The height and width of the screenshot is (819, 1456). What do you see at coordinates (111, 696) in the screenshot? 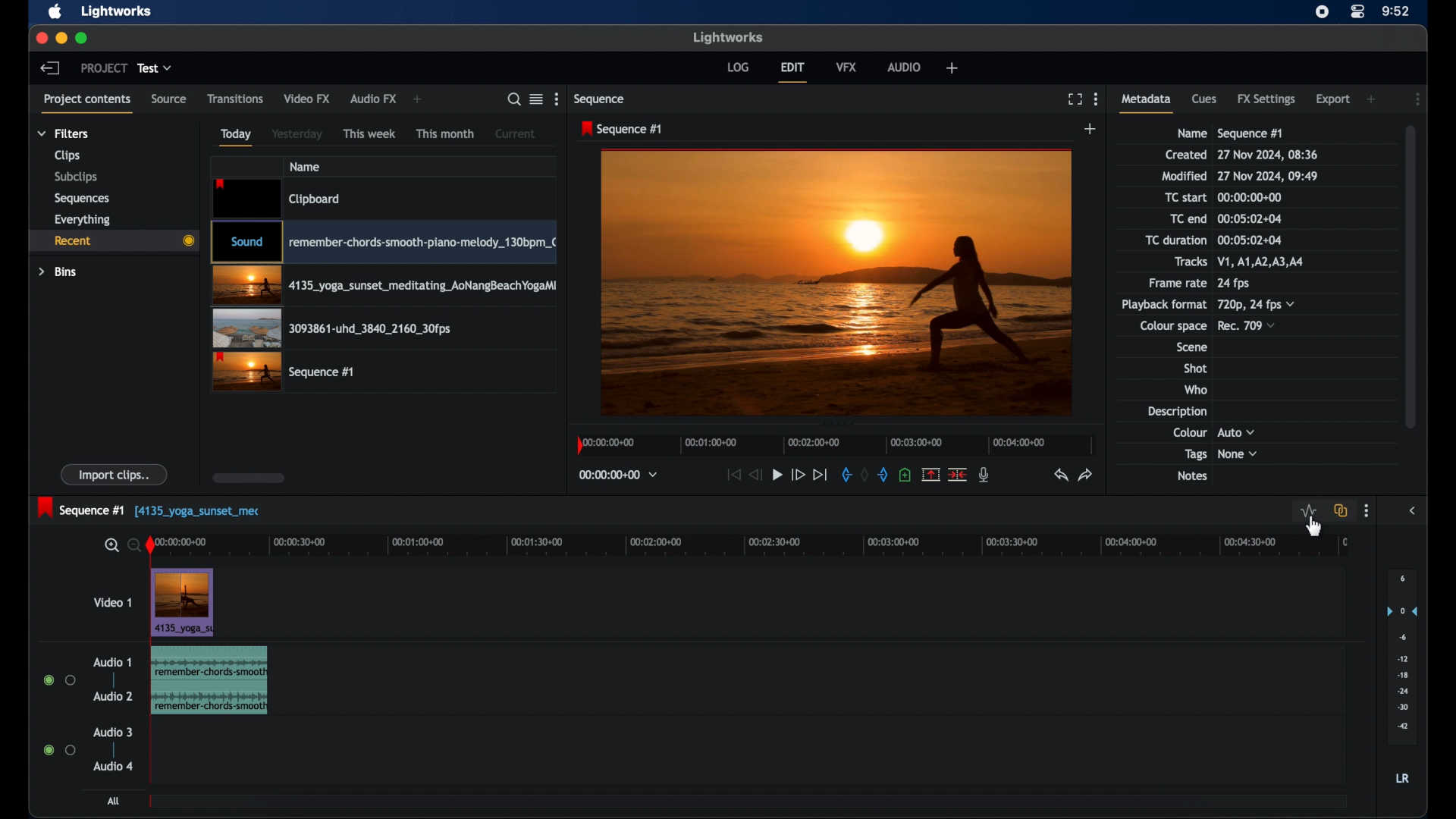
I see `audio 2` at bounding box center [111, 696].